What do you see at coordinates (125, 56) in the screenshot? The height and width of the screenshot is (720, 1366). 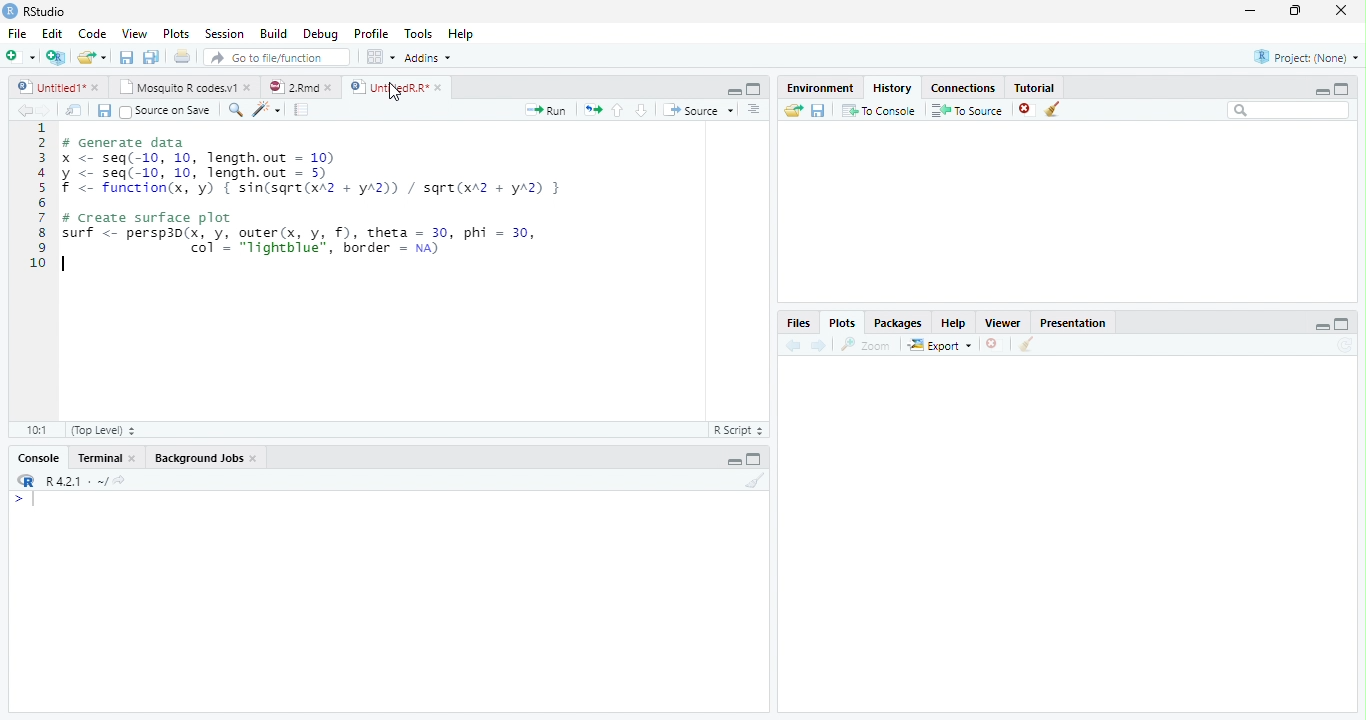 I see `Save current document` at bounding box center [125, 56].